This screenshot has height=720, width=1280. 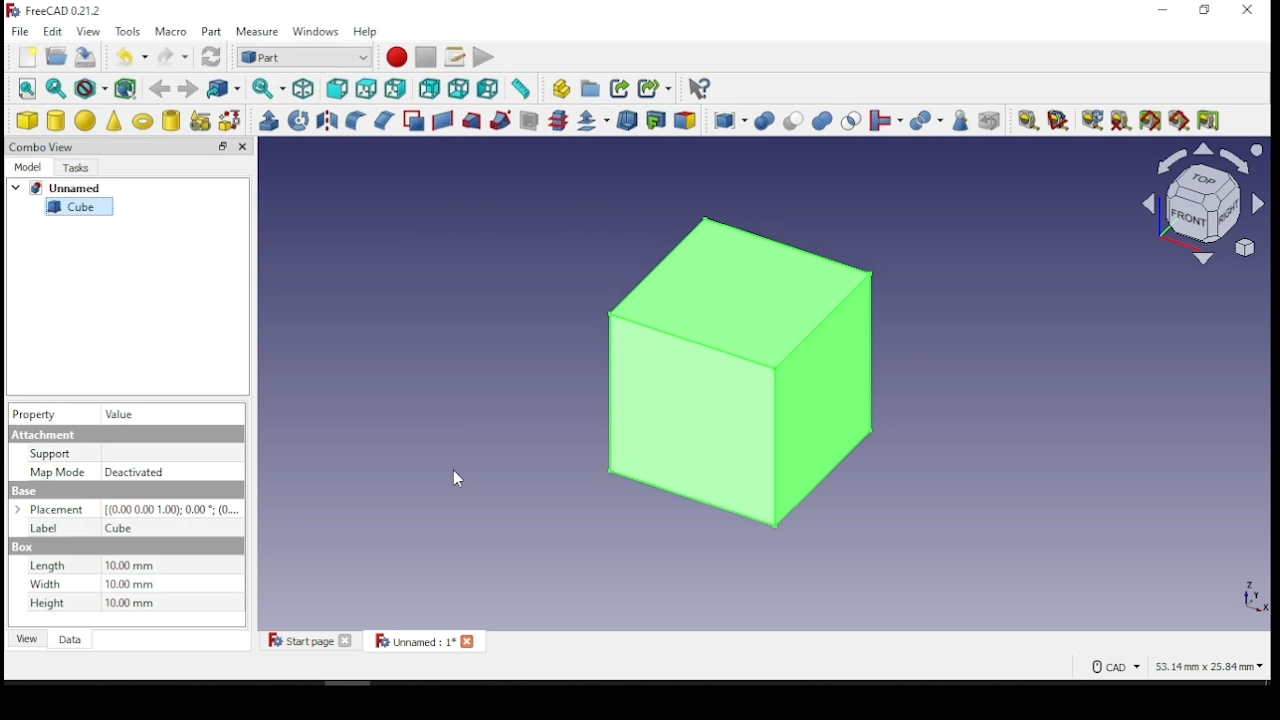 I want to click on sweep, so click(x=502, y=120).